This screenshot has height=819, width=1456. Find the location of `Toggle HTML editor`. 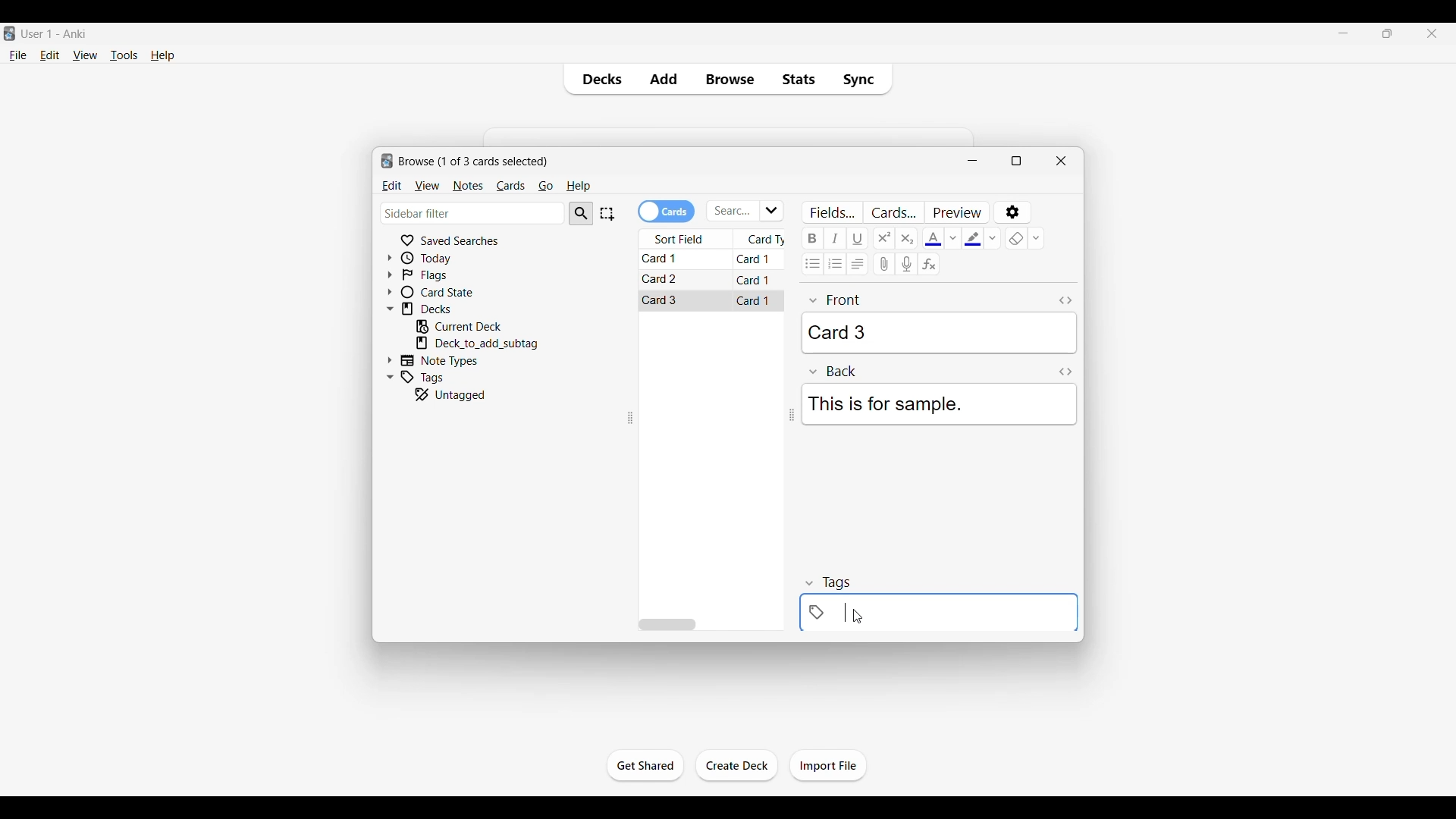

Toggle HTML editor is located at coordinates (1065, 372).